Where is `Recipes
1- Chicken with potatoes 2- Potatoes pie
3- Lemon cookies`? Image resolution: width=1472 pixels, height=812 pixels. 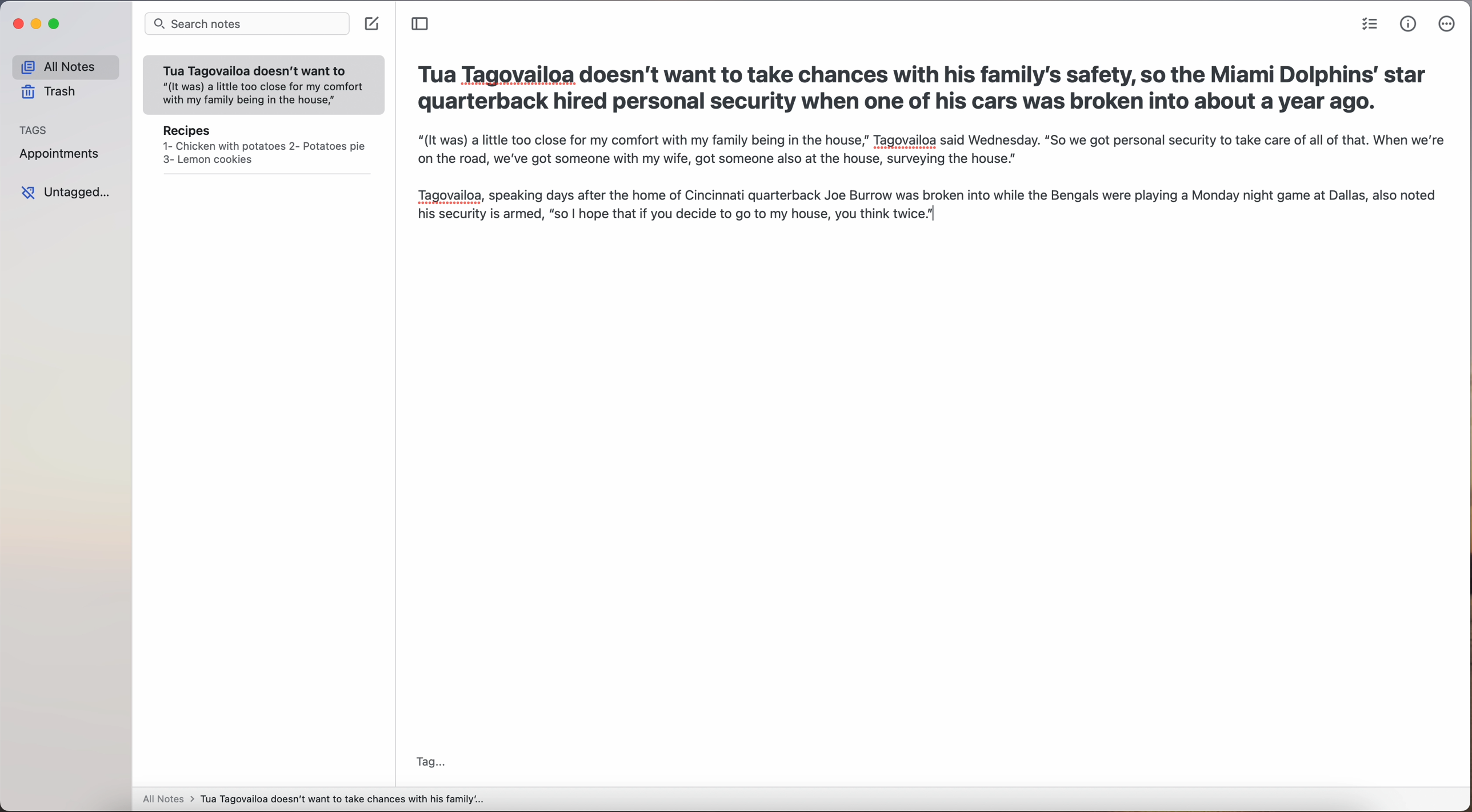
Recipes
1- Chicken with potatoes 2- Potatoes pie
3- Lemon cookies is located at coordinates (263, 147).